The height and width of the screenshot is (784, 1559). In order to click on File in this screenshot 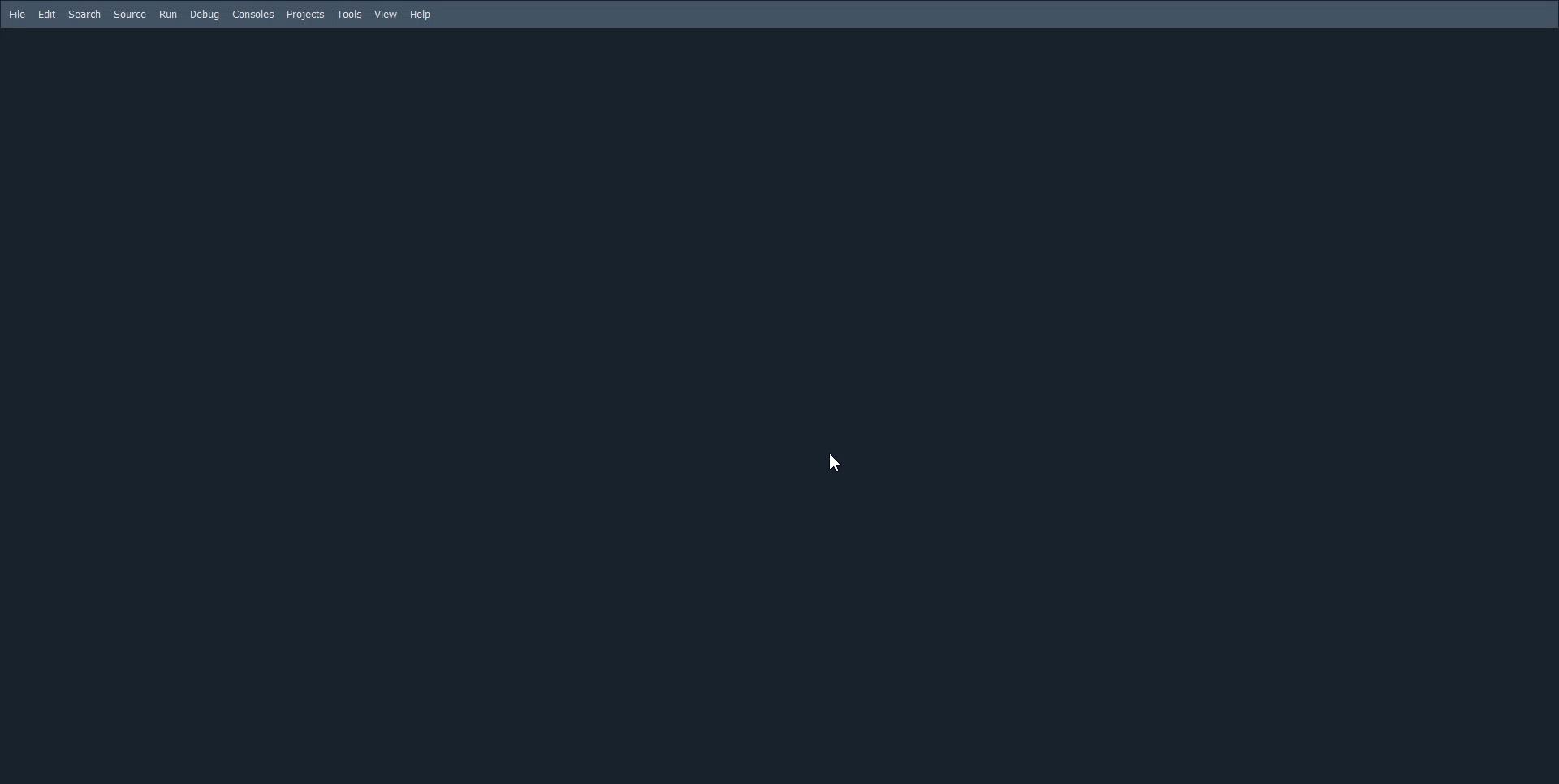, I will do `click(17, 14)`.